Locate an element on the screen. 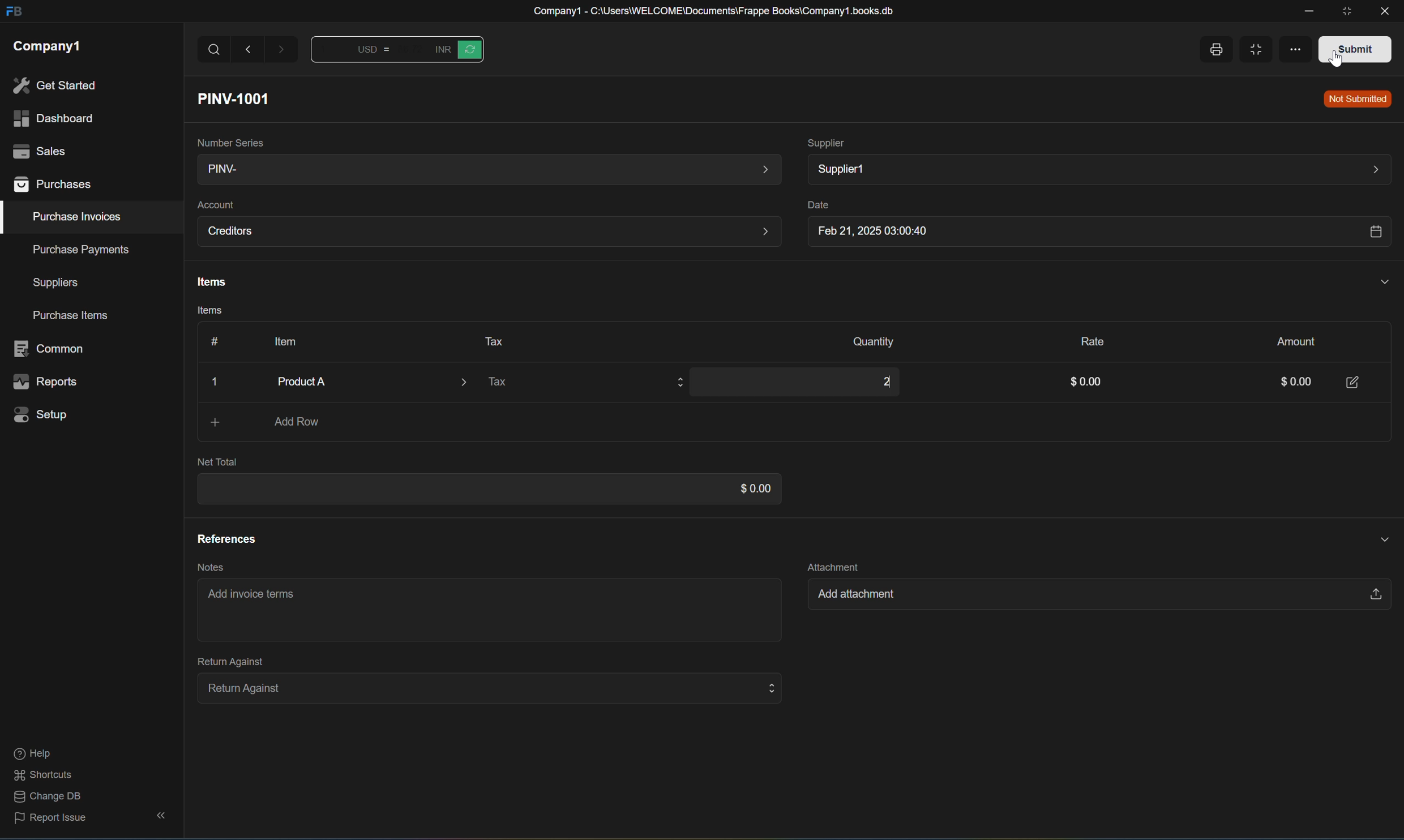 This screenshot has height=840, width=1404. Back is located at coordinates (250, 49).